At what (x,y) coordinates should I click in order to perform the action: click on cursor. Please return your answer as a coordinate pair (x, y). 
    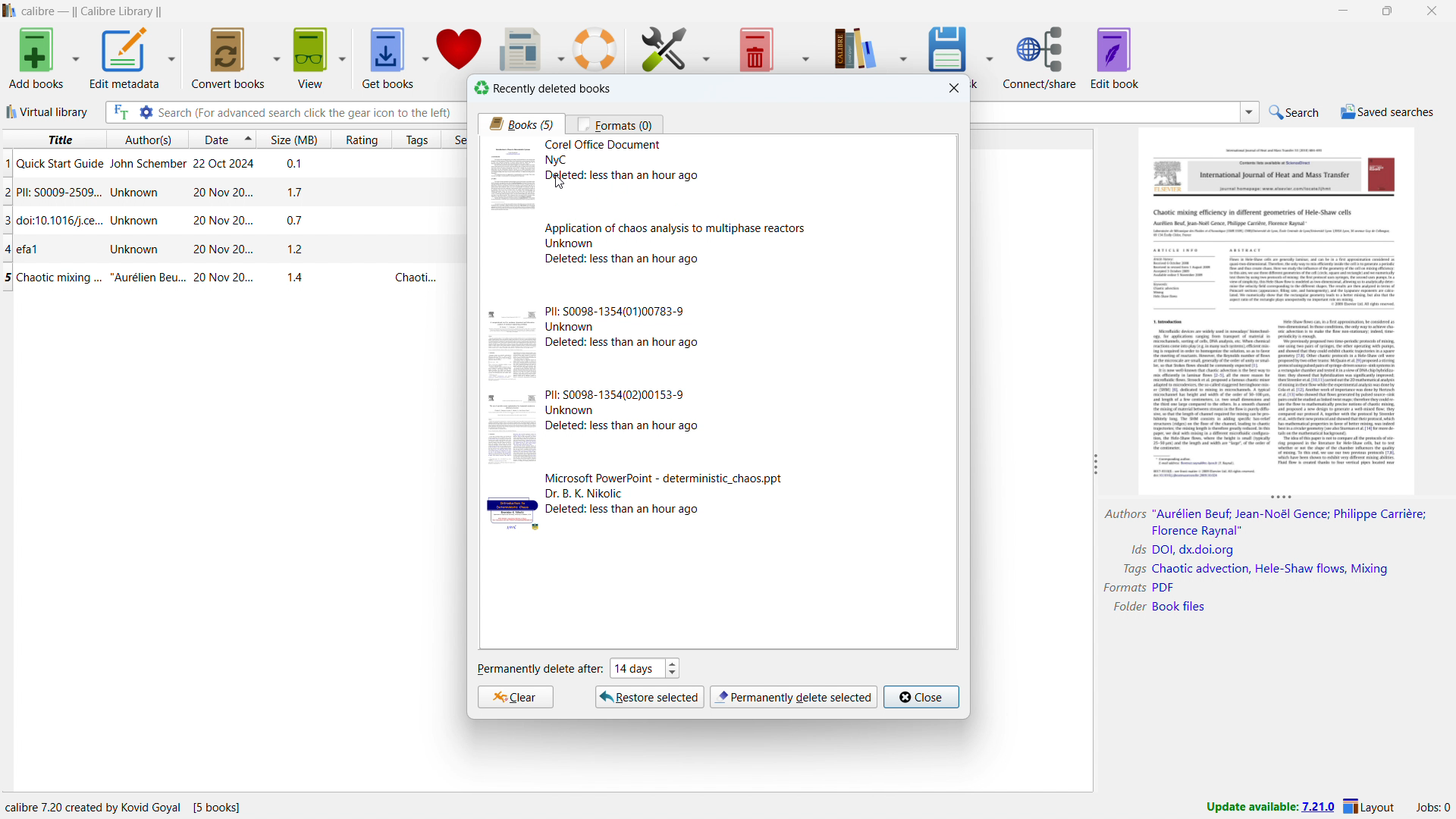
    Looking at the image, I should click on (562, 181).